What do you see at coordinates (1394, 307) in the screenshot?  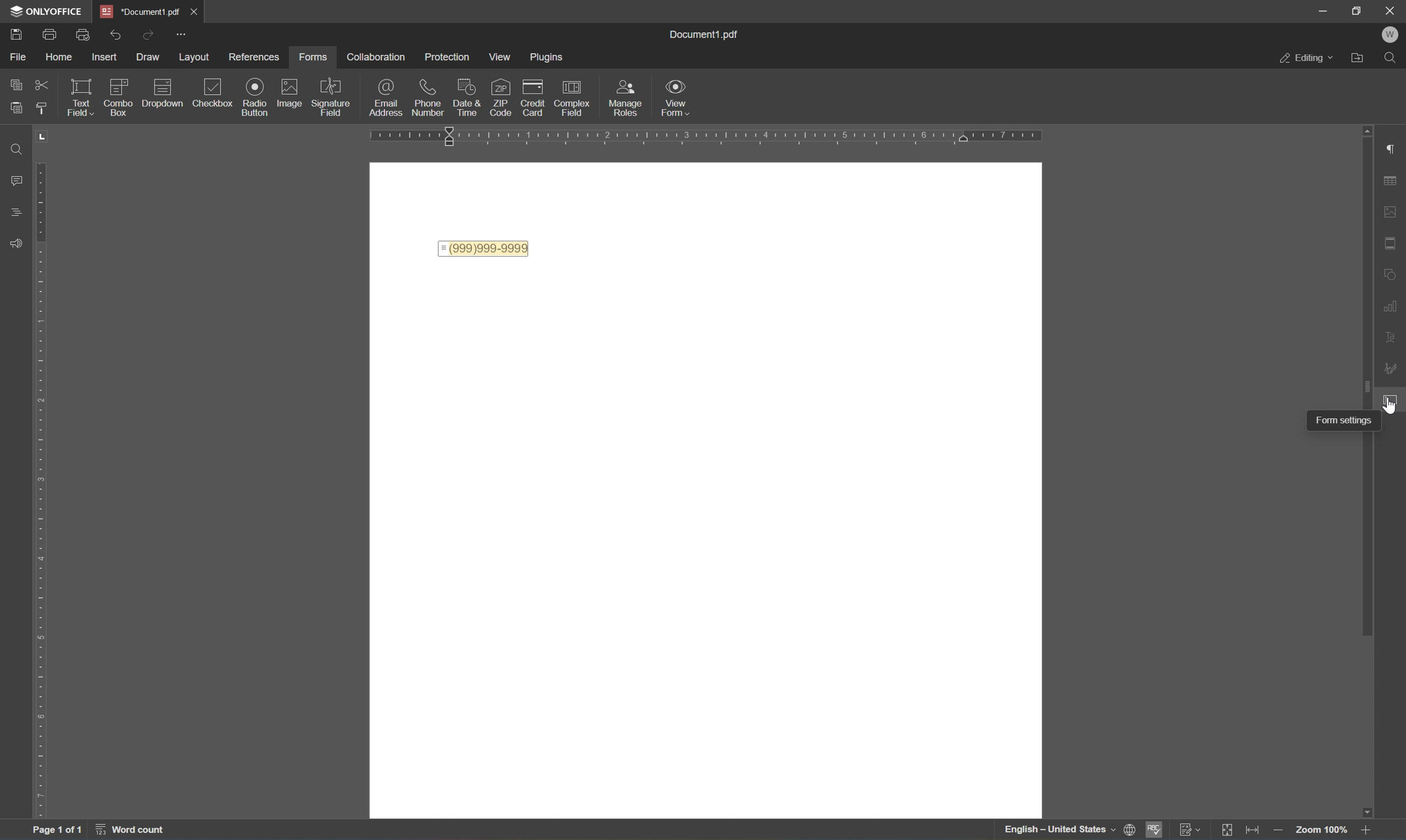 I see `chart settings` at bounding box center [1394, 307].